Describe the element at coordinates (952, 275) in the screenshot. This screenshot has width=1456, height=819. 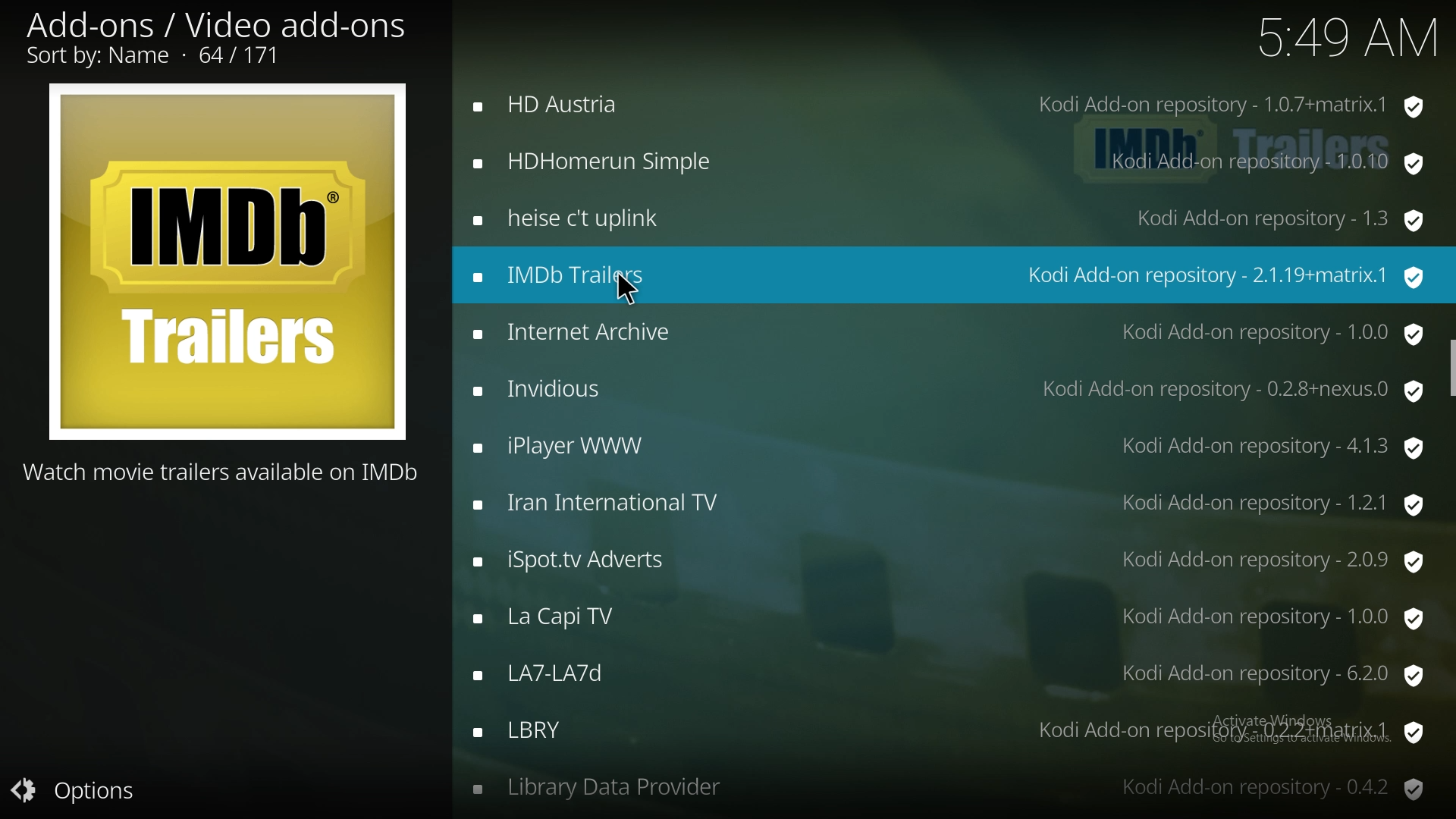
I see `add on` at that location.